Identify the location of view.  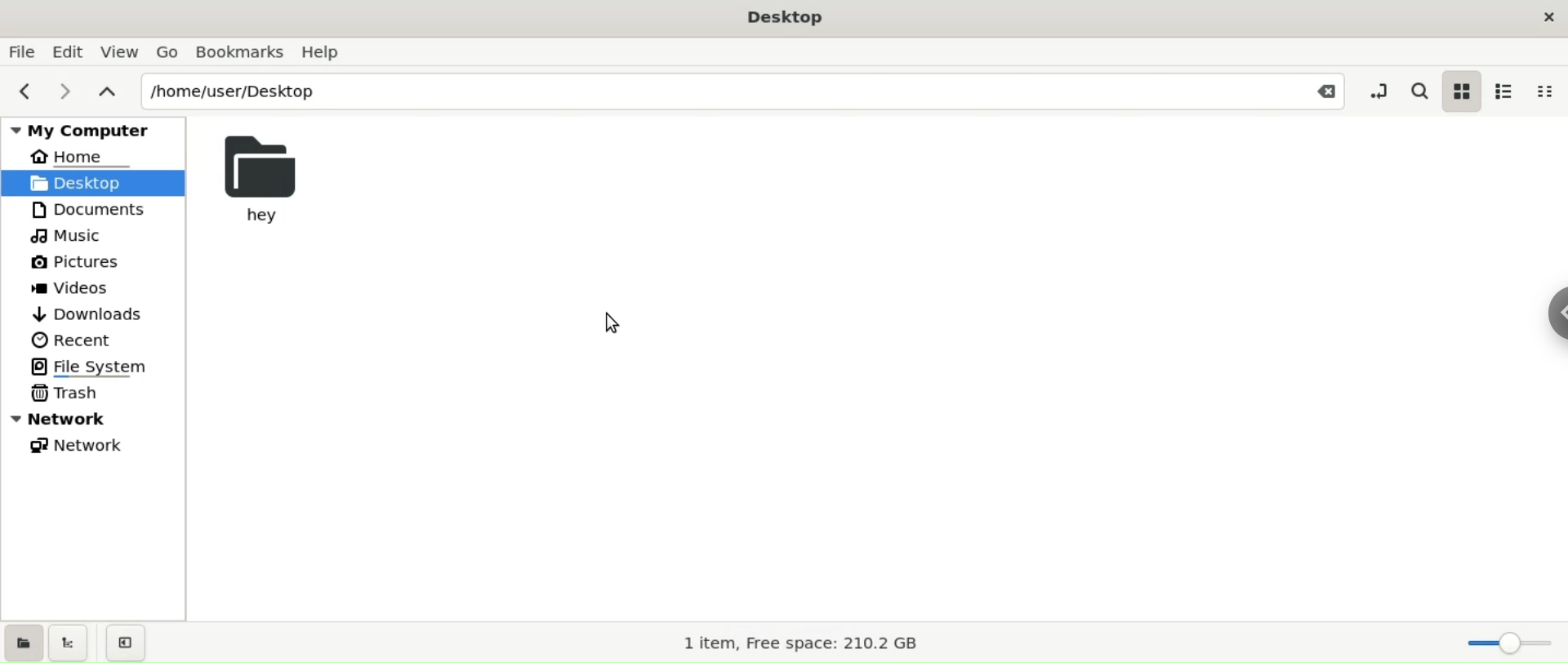
(123, 52).